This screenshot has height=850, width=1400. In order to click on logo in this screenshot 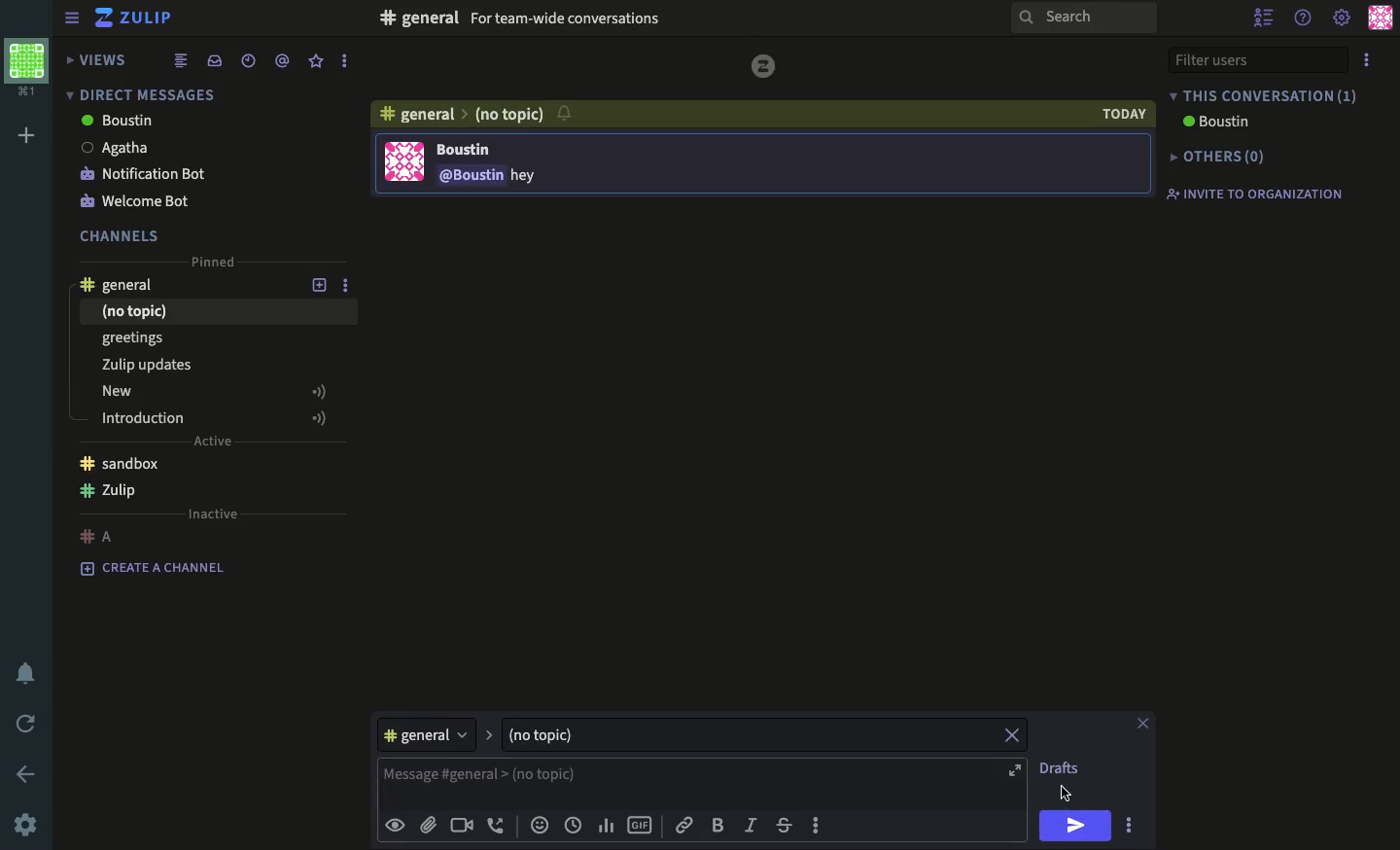, I will do `click(764, 66)`.